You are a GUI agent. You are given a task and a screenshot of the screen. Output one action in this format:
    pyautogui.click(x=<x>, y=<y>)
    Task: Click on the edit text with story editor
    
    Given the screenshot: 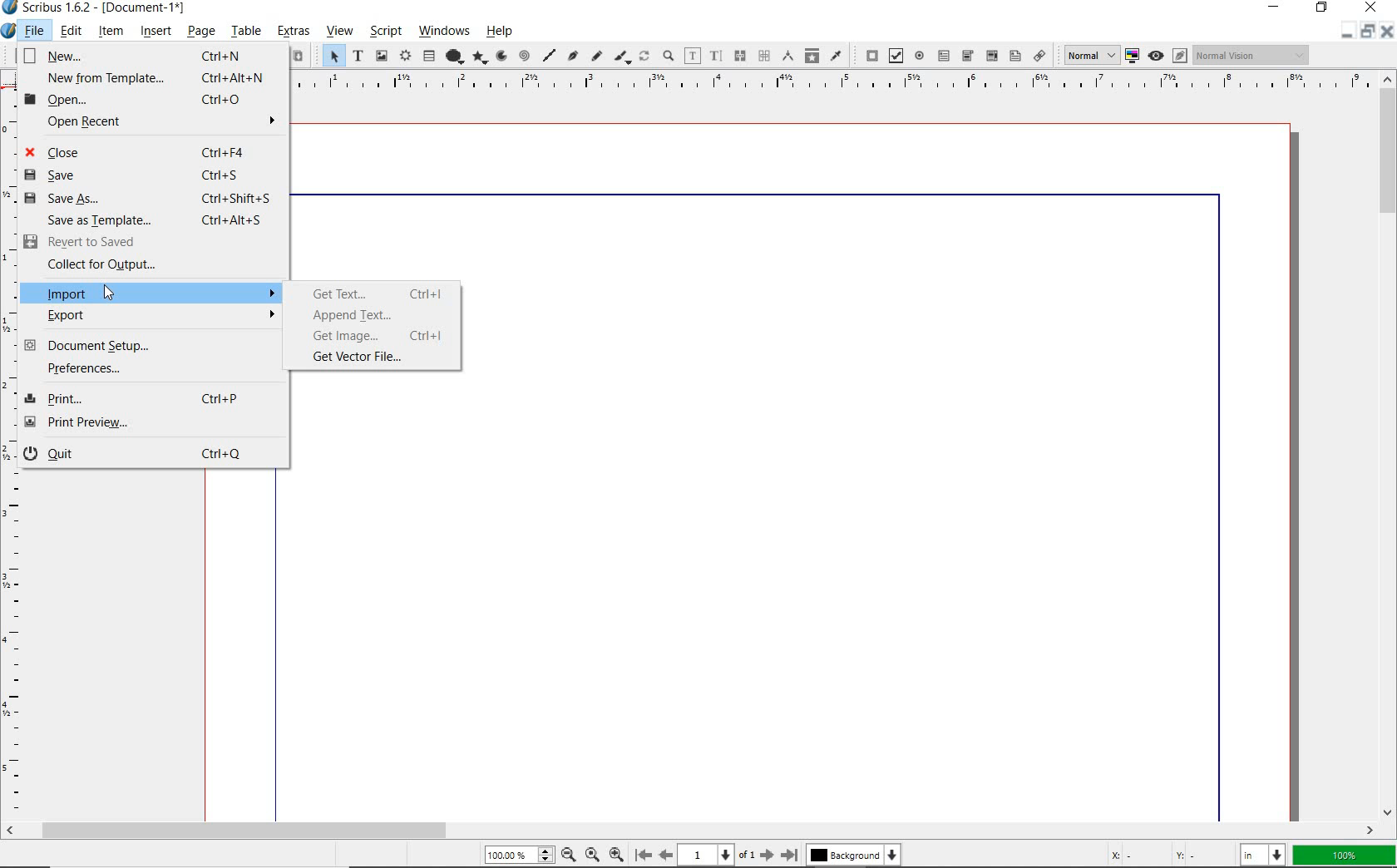 What is the action you would take?
    pyautogui.click(x=716, y=56)
    